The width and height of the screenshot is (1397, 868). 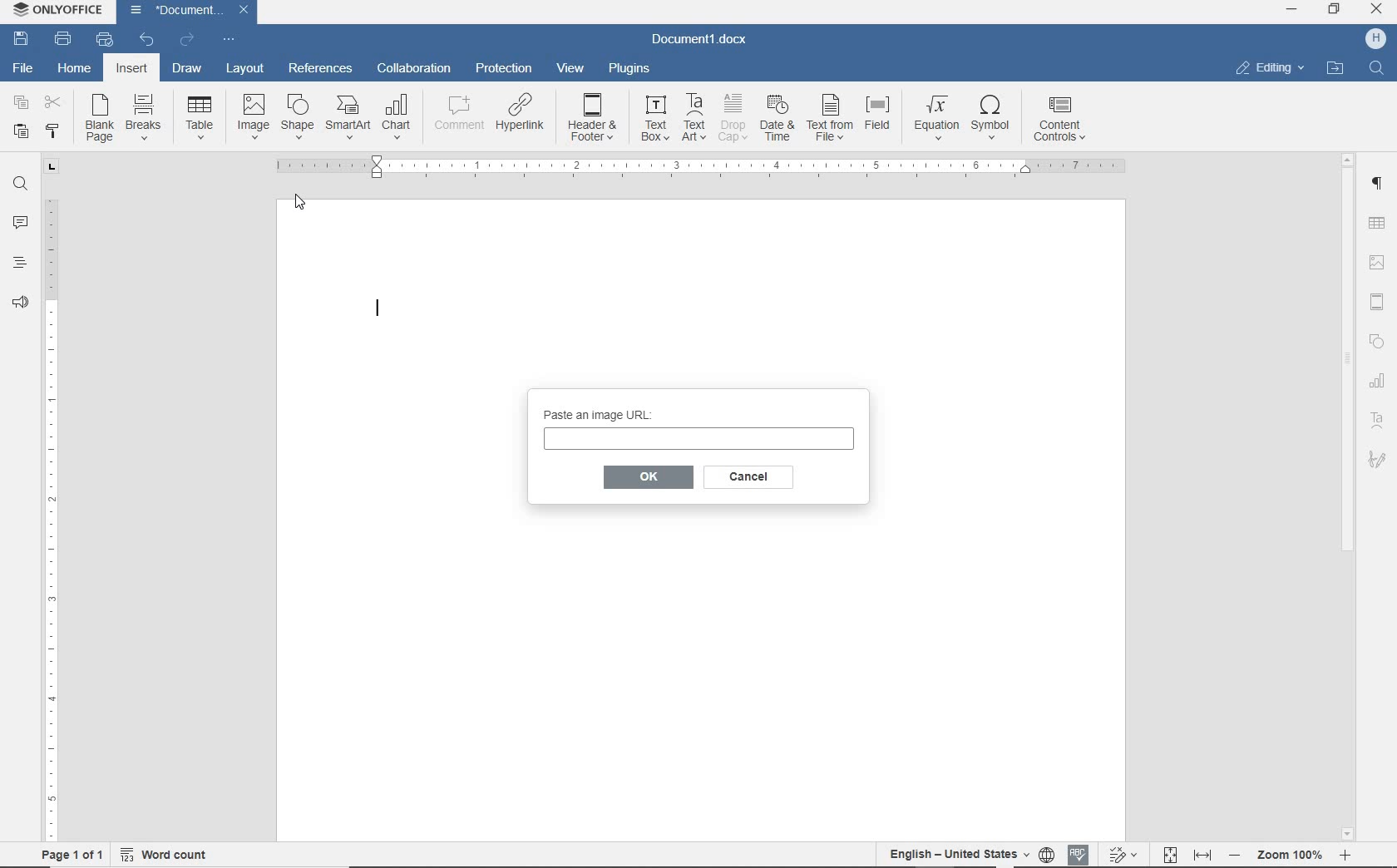 What do you see at coordinates (20, 224) in the screenshot?
I see `comments` at bounding box center [20, 224].